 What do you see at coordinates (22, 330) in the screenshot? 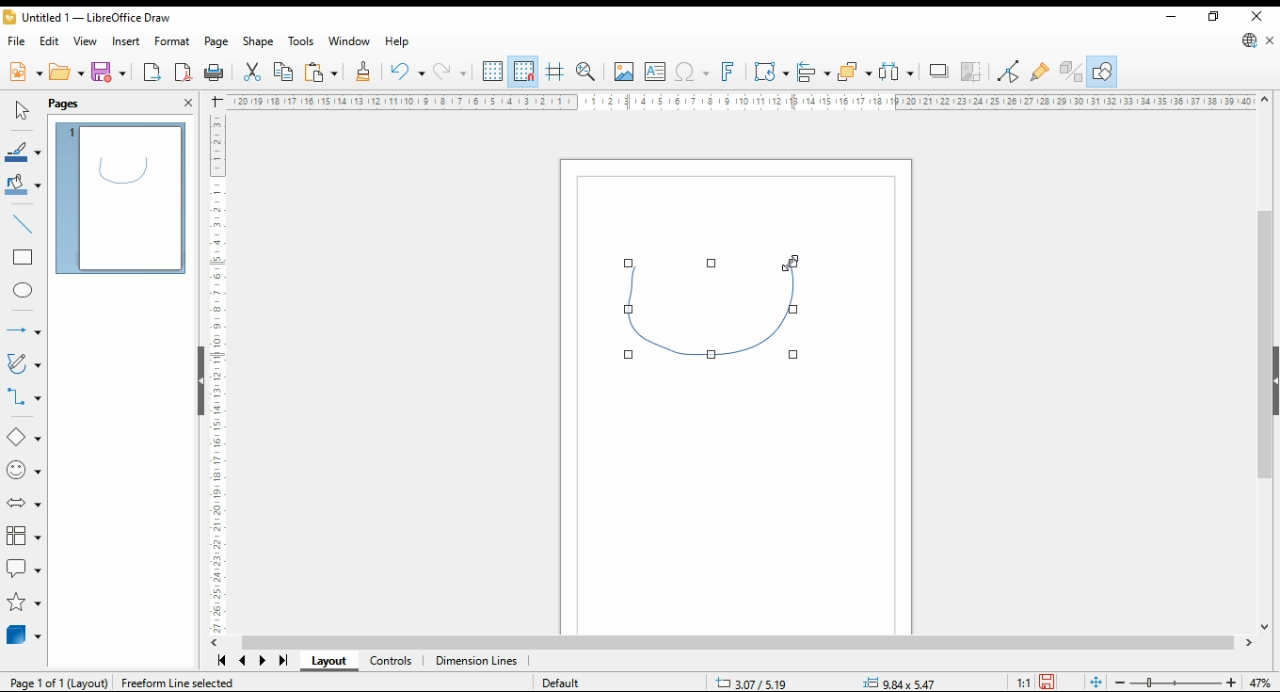
I see `lines and arrows` at bounding box center [22, 330].